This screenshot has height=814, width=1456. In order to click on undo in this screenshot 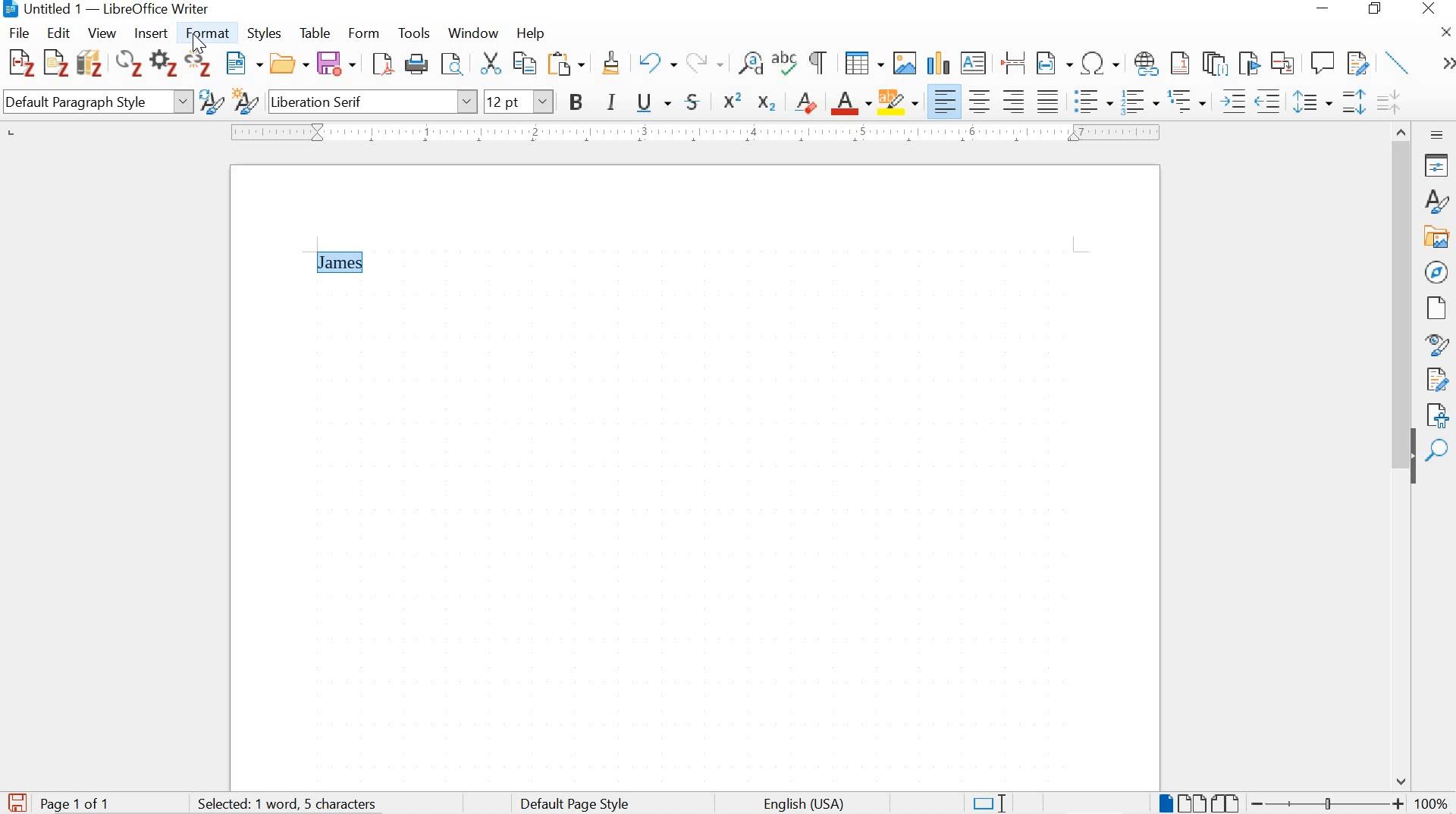, I will do `click(656, 64)`.